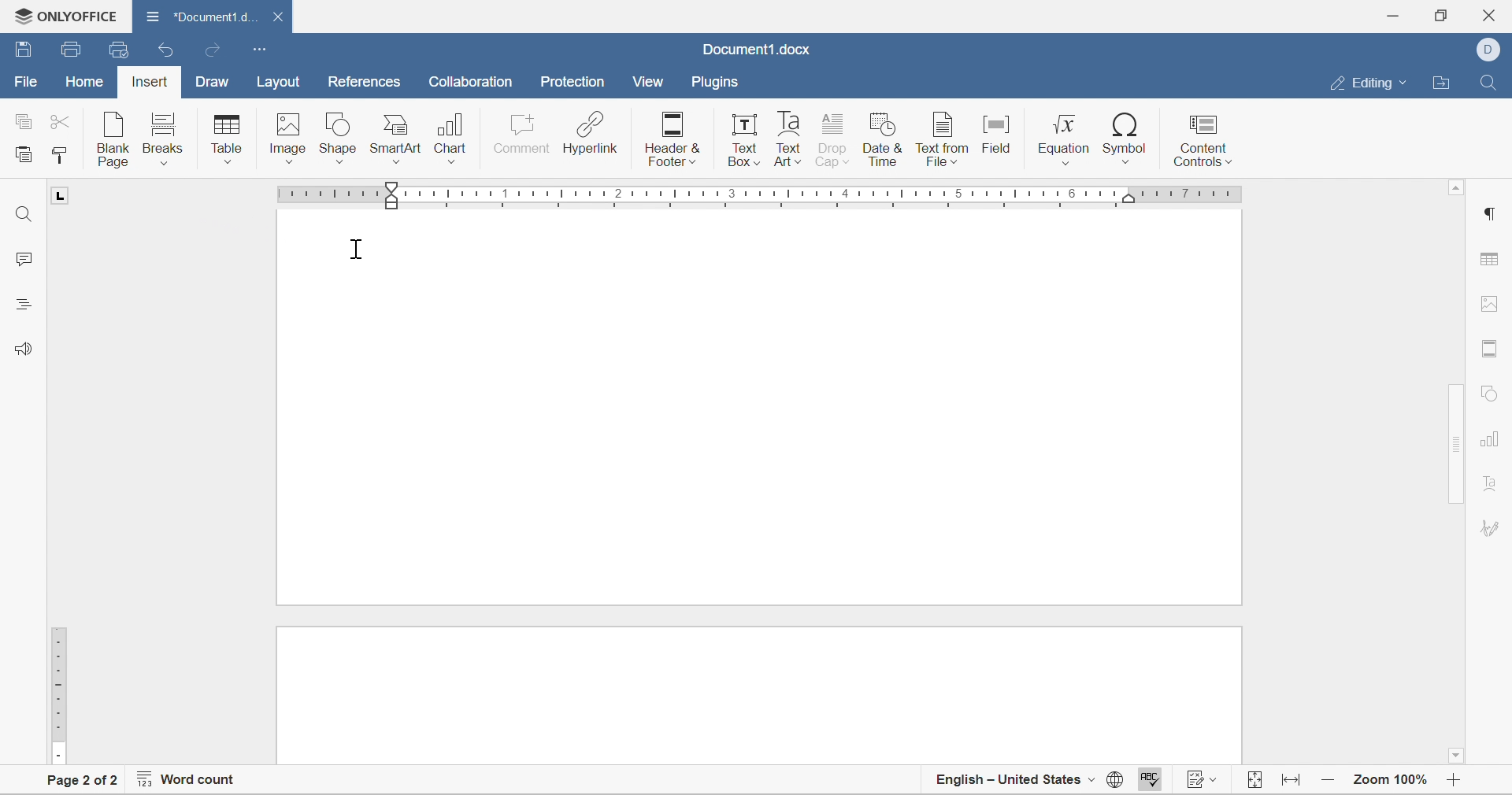  Describe the element at coordinates (215, 17) in the screenshot. I see `*Document1.d` at that location.